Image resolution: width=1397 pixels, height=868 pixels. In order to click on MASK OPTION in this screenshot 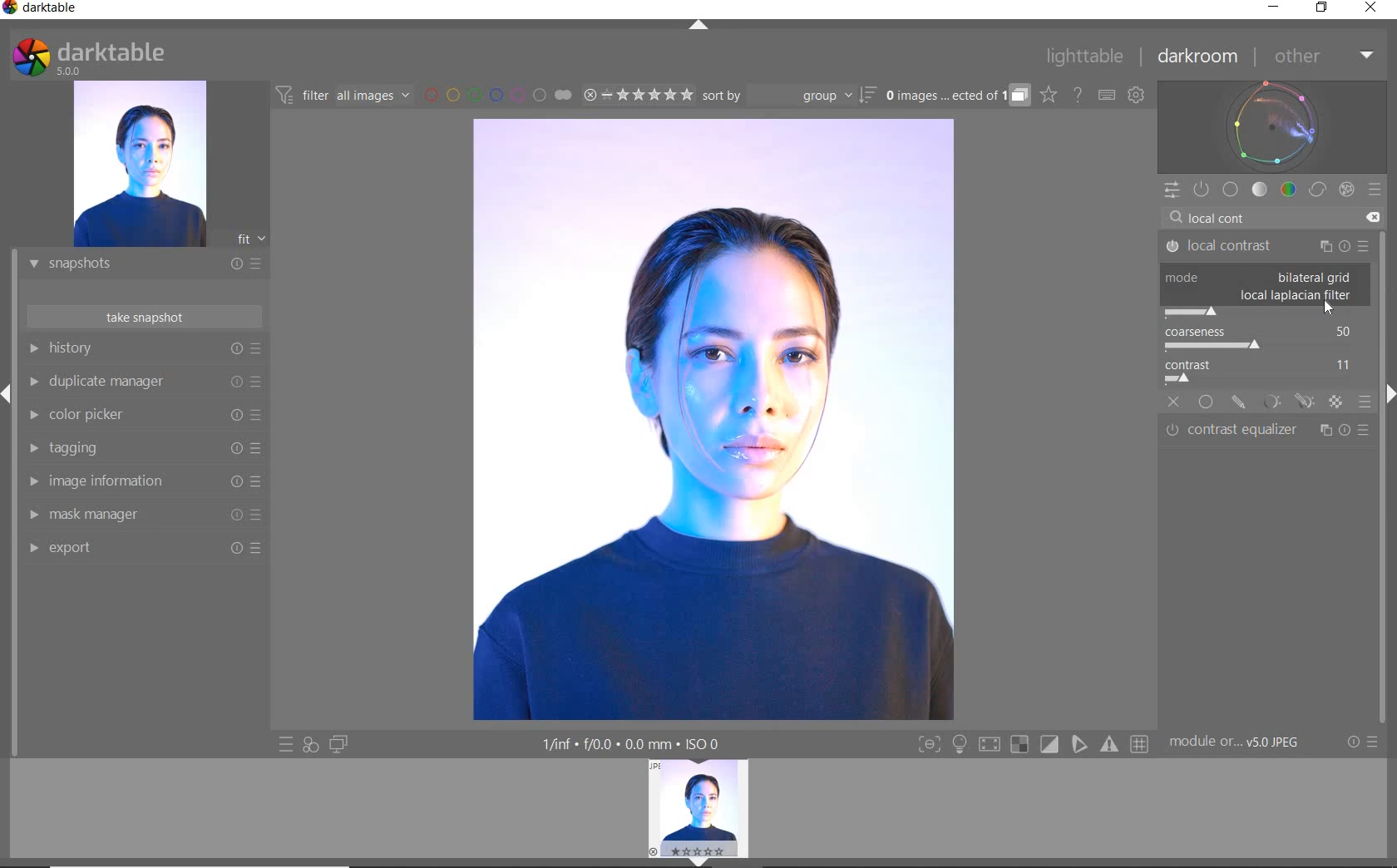, I will do `click(1271, 402)`.